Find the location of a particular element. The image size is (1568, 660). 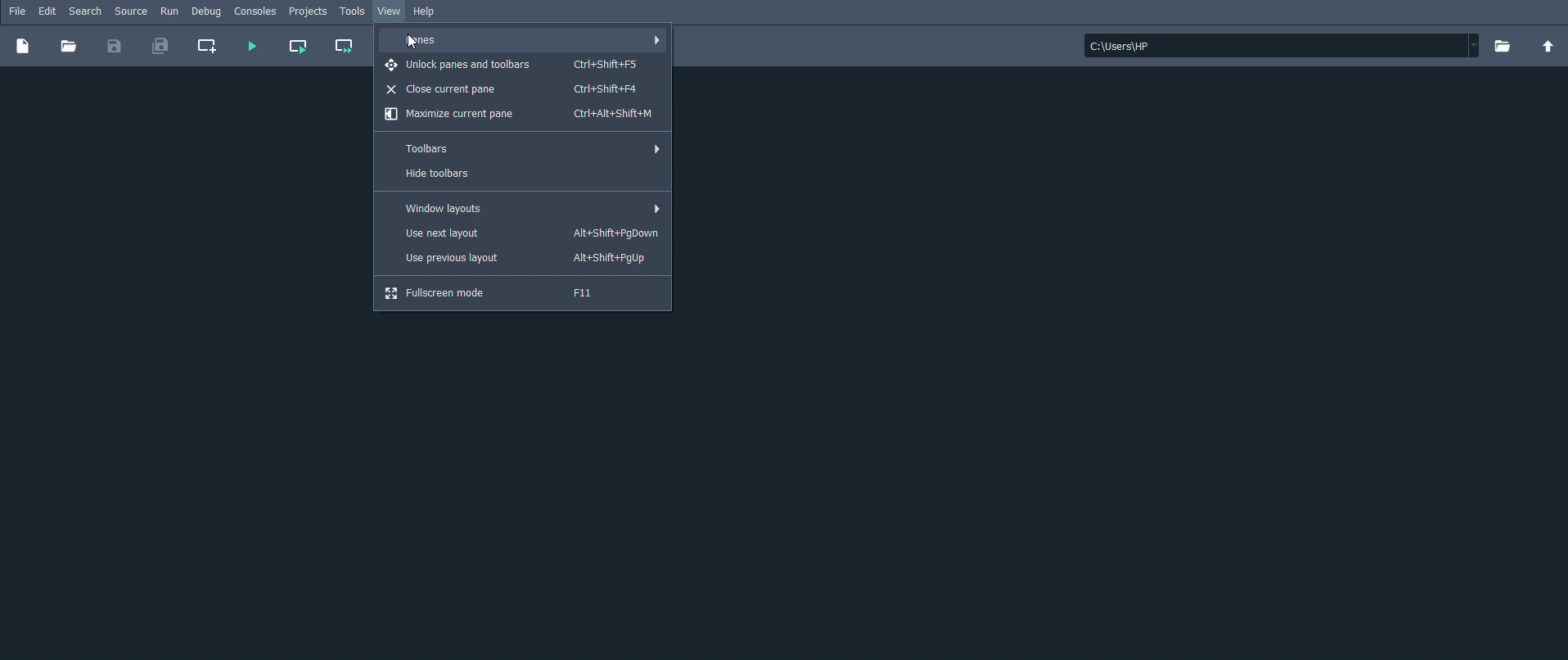

Run current cell and go to the next one is located at coordinates (345, 47).